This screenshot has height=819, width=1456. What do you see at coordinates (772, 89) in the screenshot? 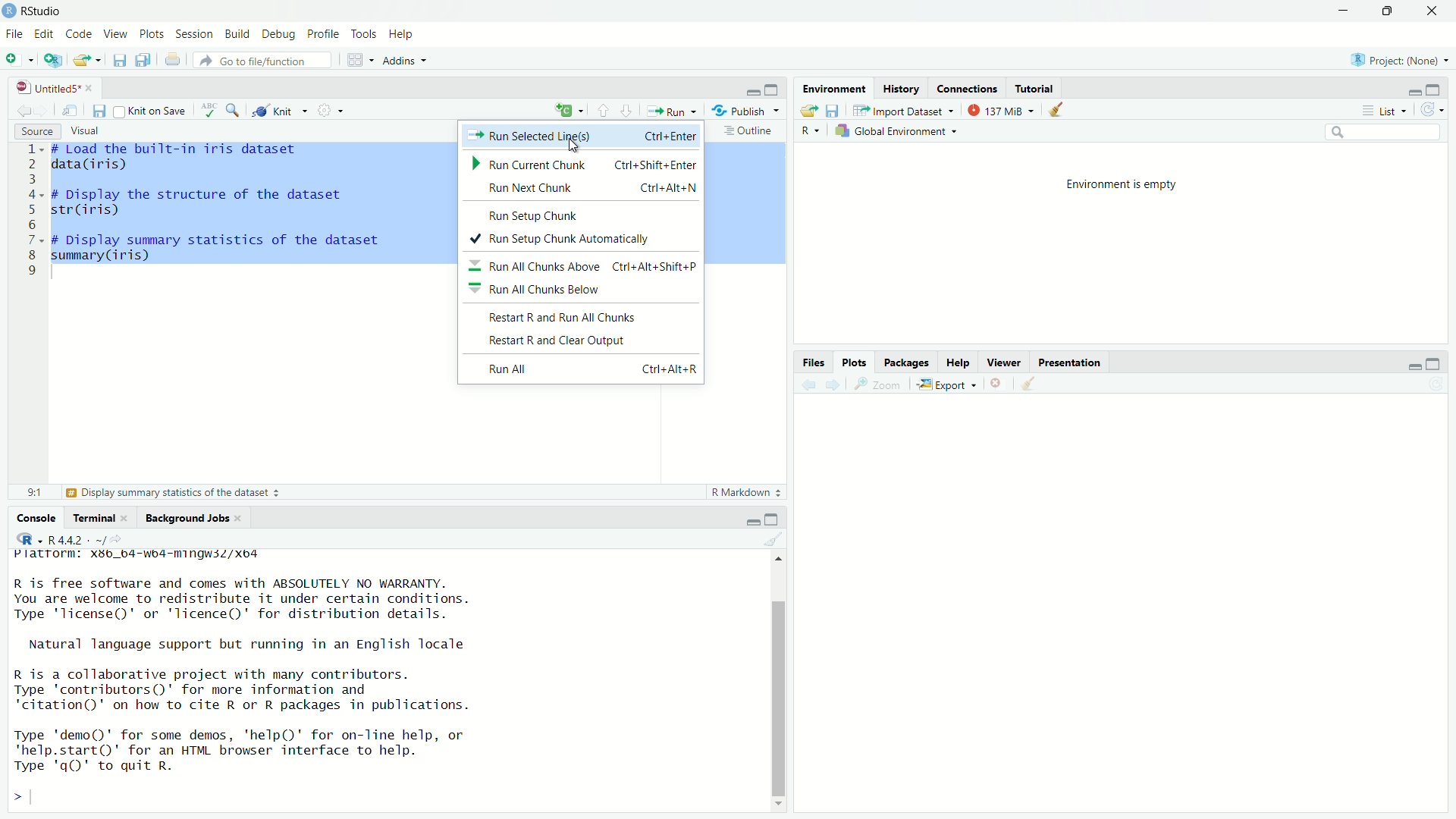
I see `Full height` at bounding box center [772, 89].